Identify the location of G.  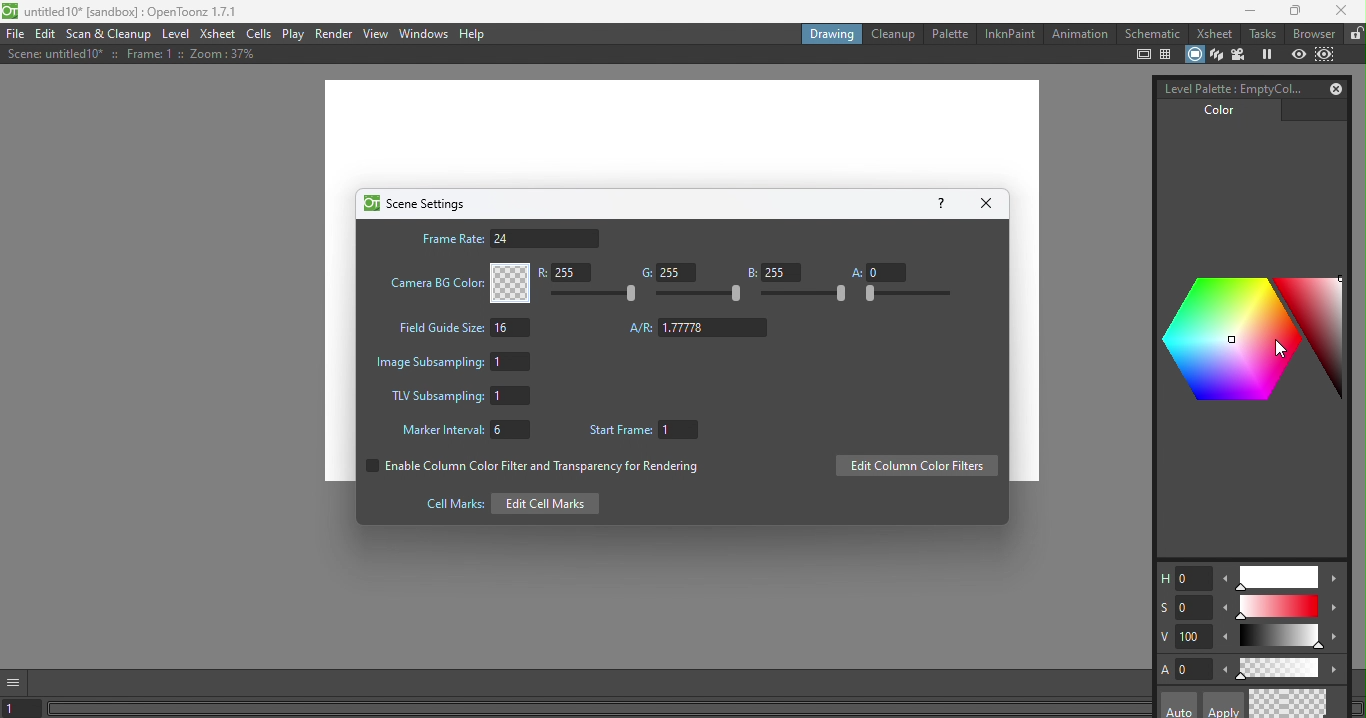
(665, 273).